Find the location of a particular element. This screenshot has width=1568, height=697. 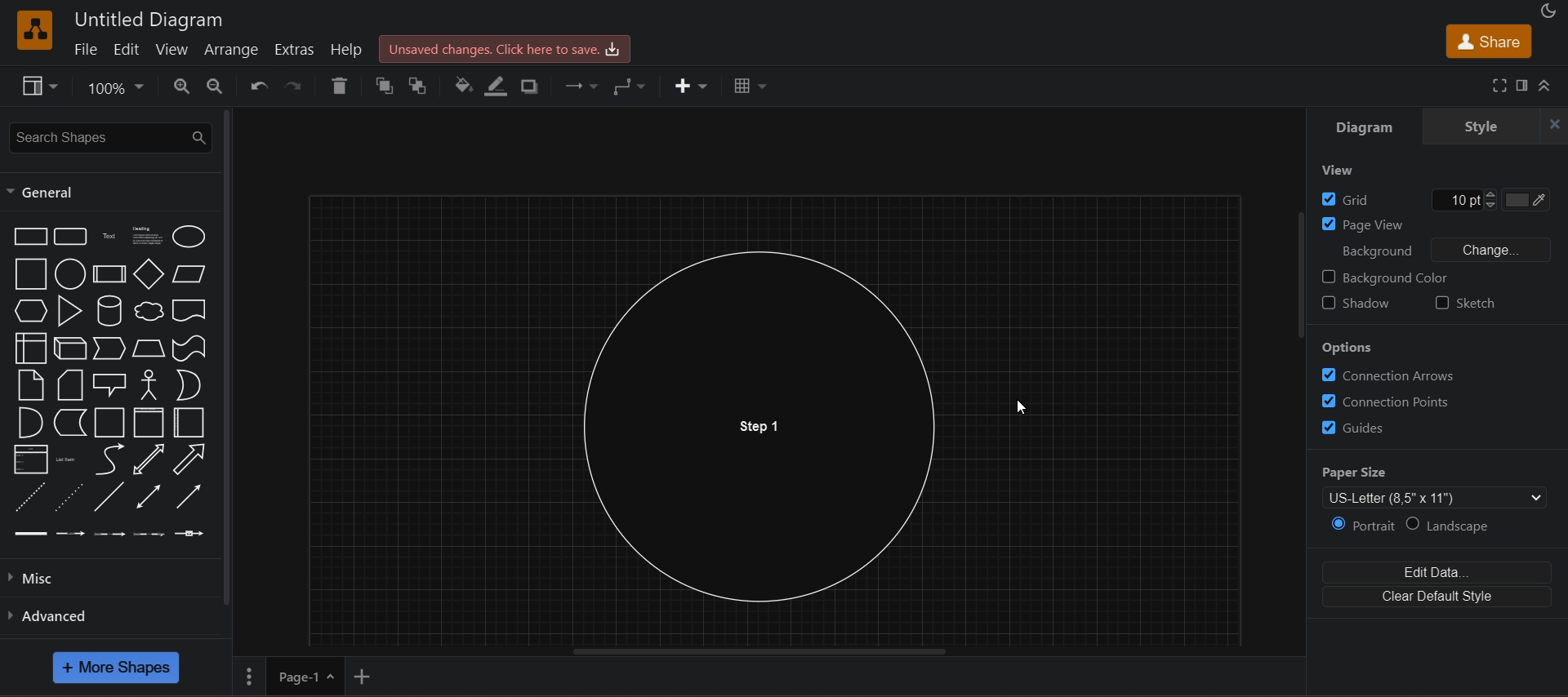

100 is located at coordinates (119, 88).